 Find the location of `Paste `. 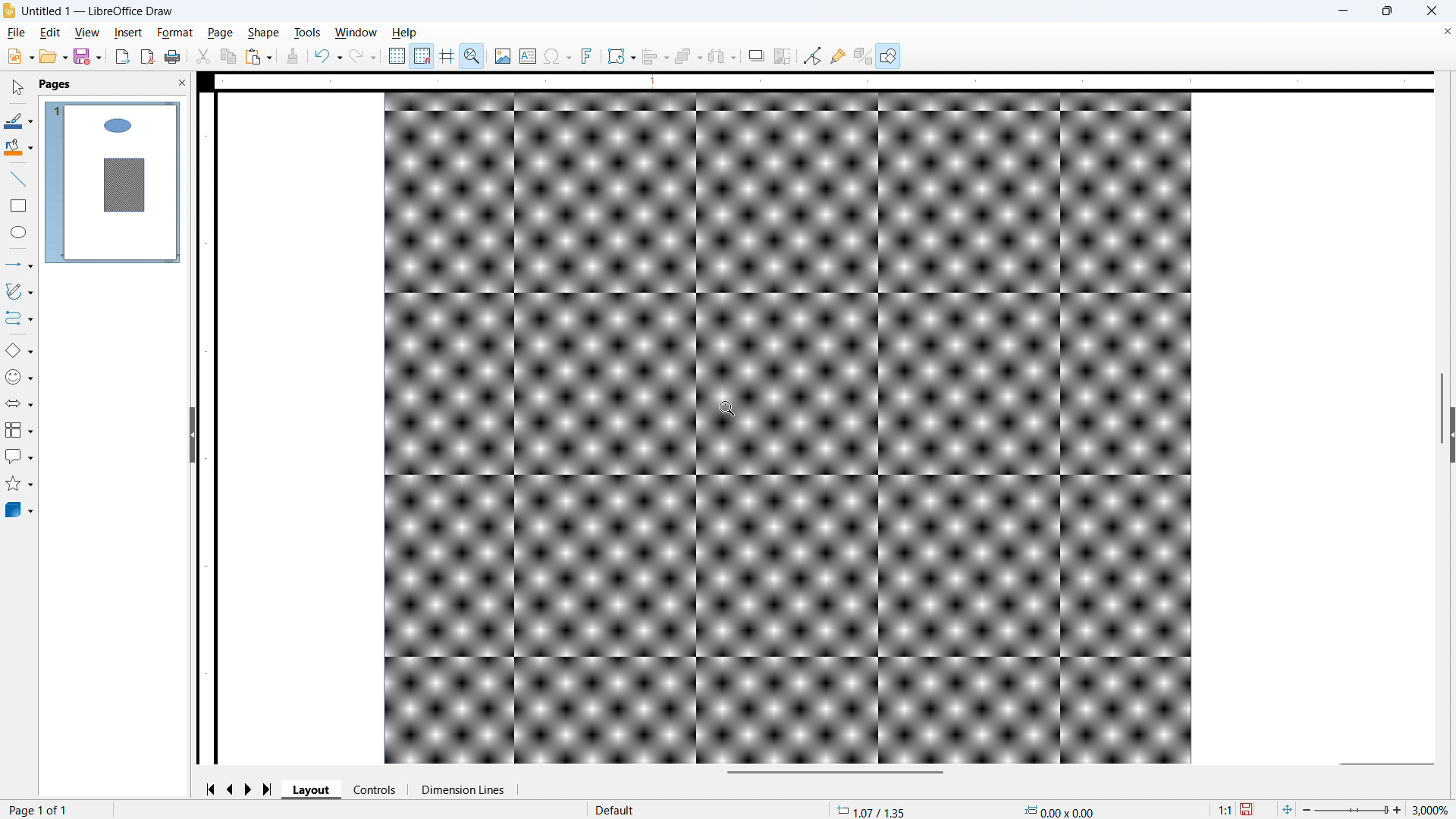

Paste  is located at coordinates (259, 56).